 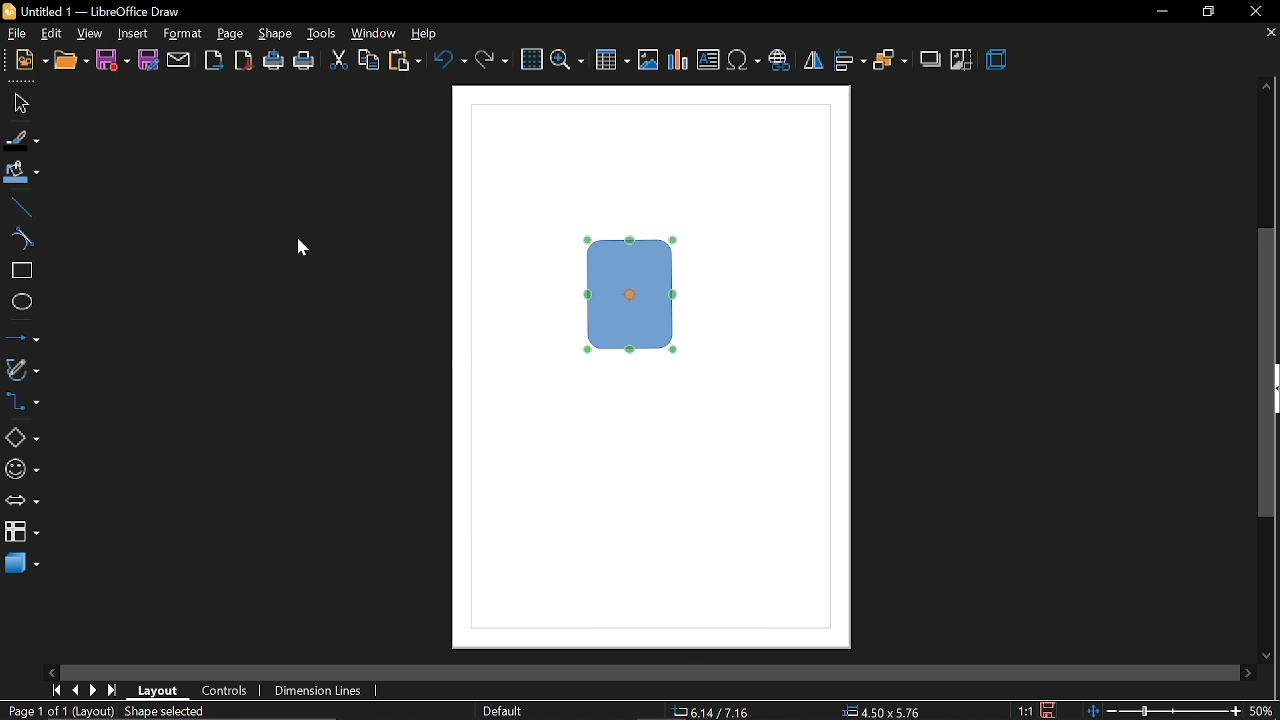 What do you see at coordinates (745, 62) in the screenshot?
I see `insert symbol` at bounding box center [745, 62].